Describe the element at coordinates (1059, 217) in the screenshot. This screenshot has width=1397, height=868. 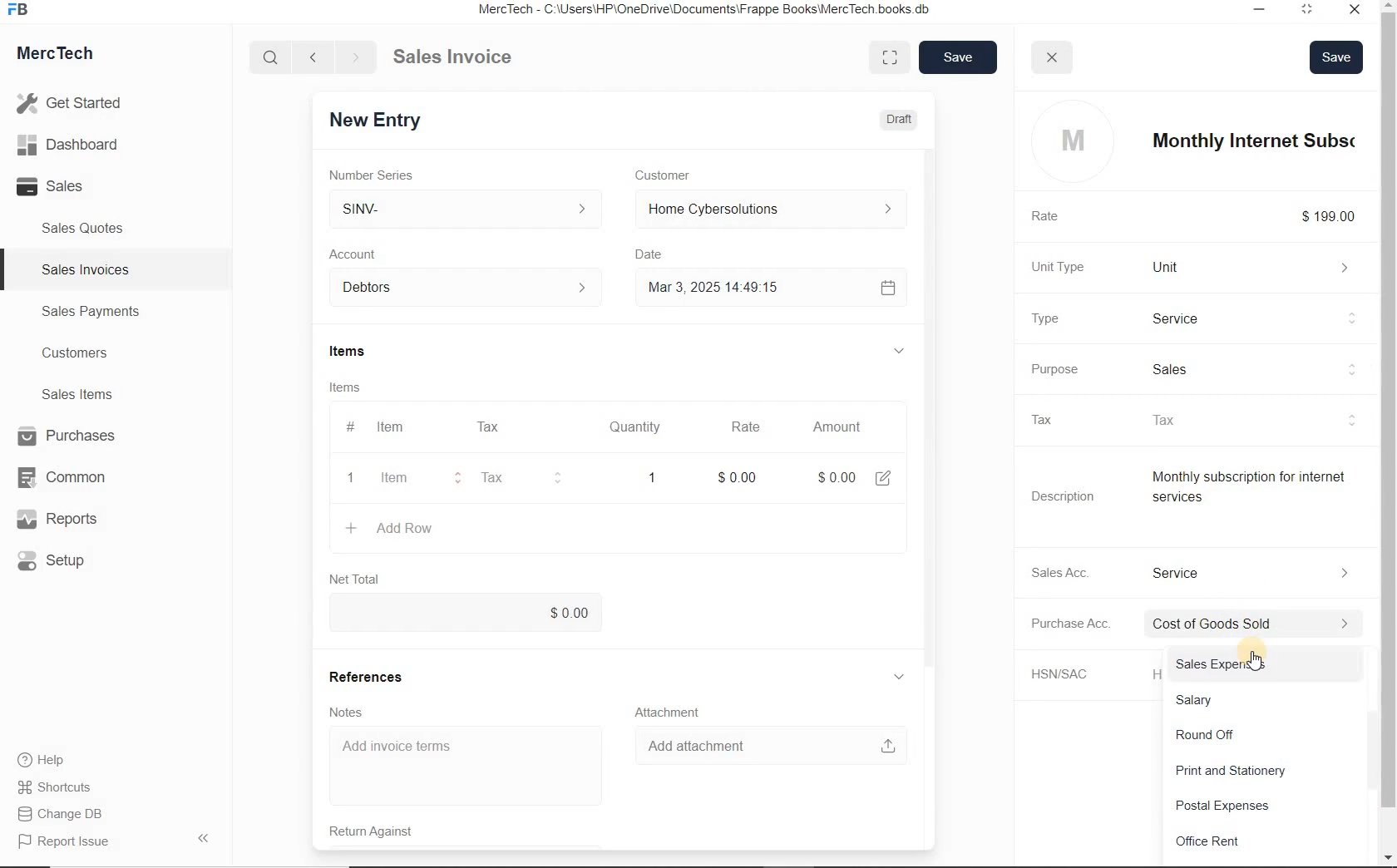
I see `Rate` at that location.